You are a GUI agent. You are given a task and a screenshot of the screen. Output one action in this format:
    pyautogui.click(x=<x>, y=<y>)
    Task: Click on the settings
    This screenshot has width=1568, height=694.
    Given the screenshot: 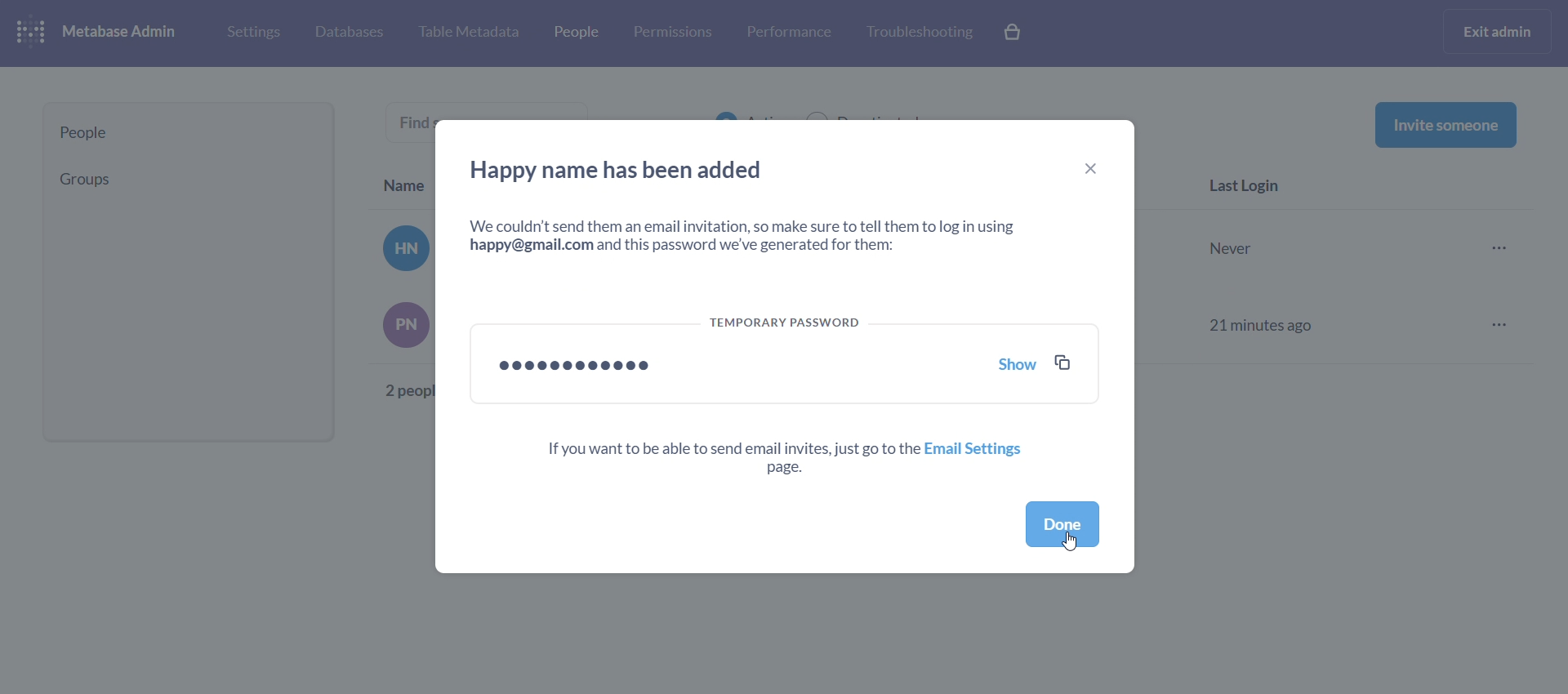 What is the action you would take?
    pyautogui.click(x=252, y=31)
    